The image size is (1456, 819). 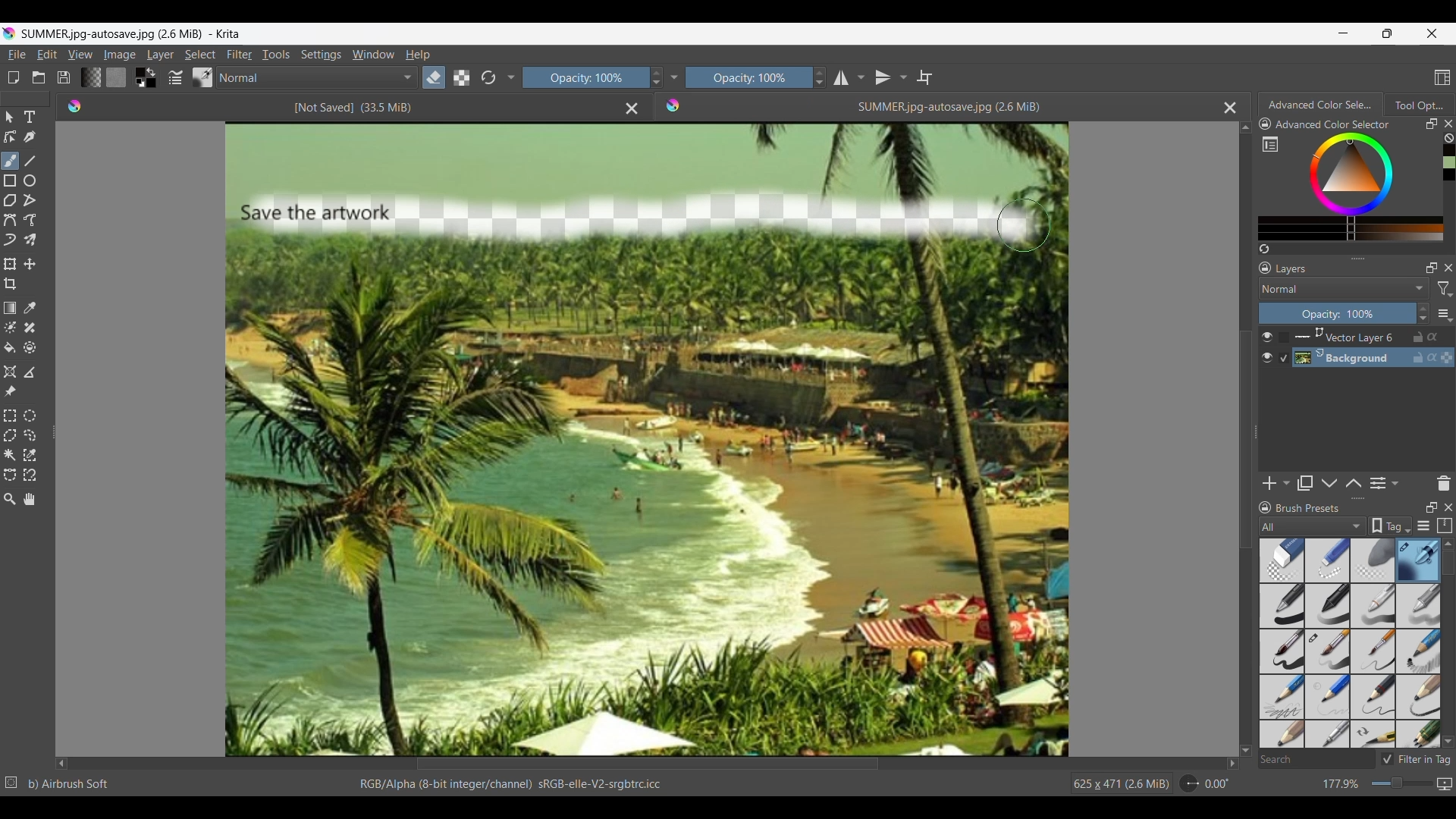 I want to click on Freehand selection tool, so click(x=30, y=436).